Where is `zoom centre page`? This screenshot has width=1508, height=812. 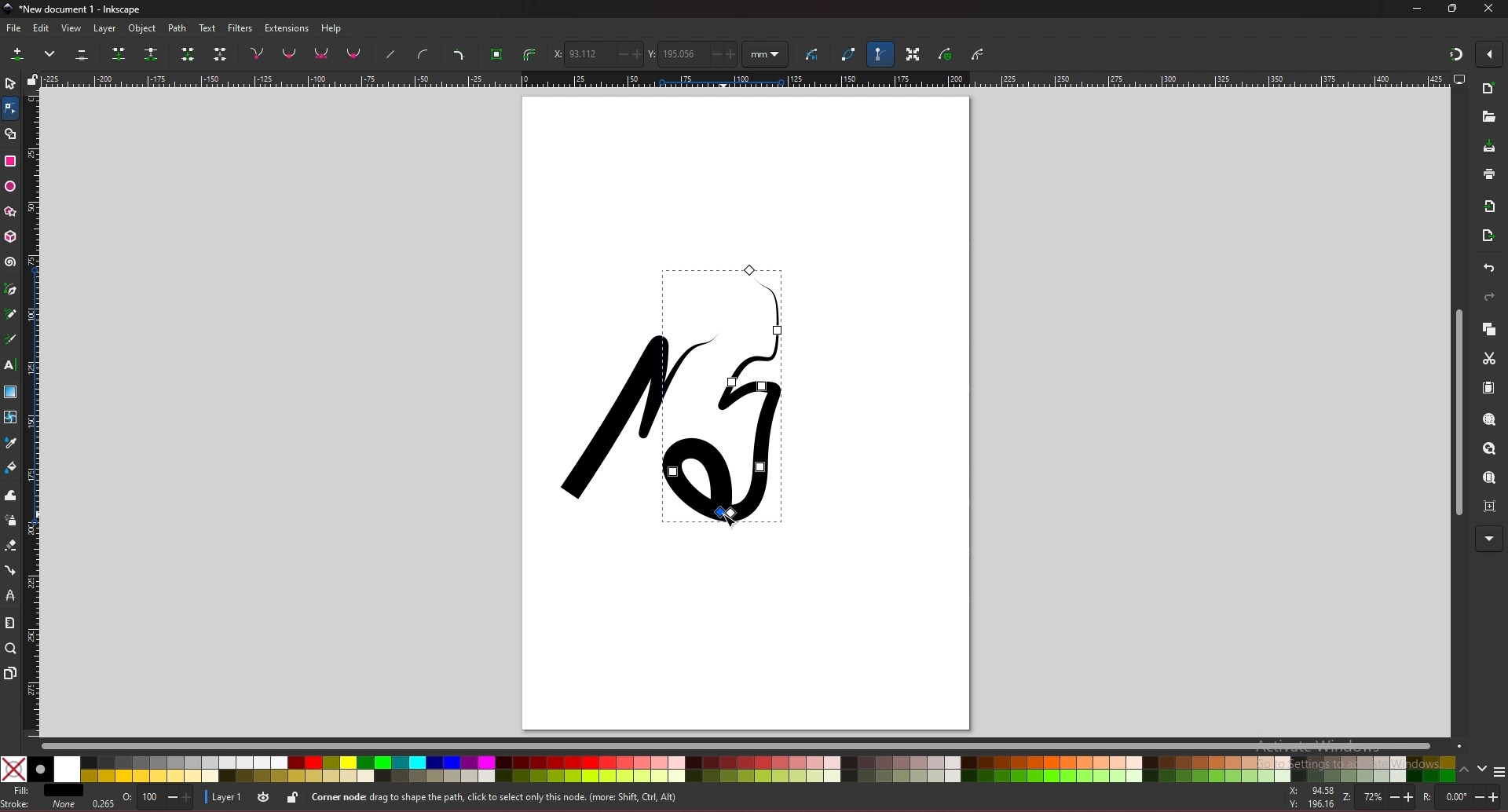 zoom centre page is located at coordinates (1490, 506).